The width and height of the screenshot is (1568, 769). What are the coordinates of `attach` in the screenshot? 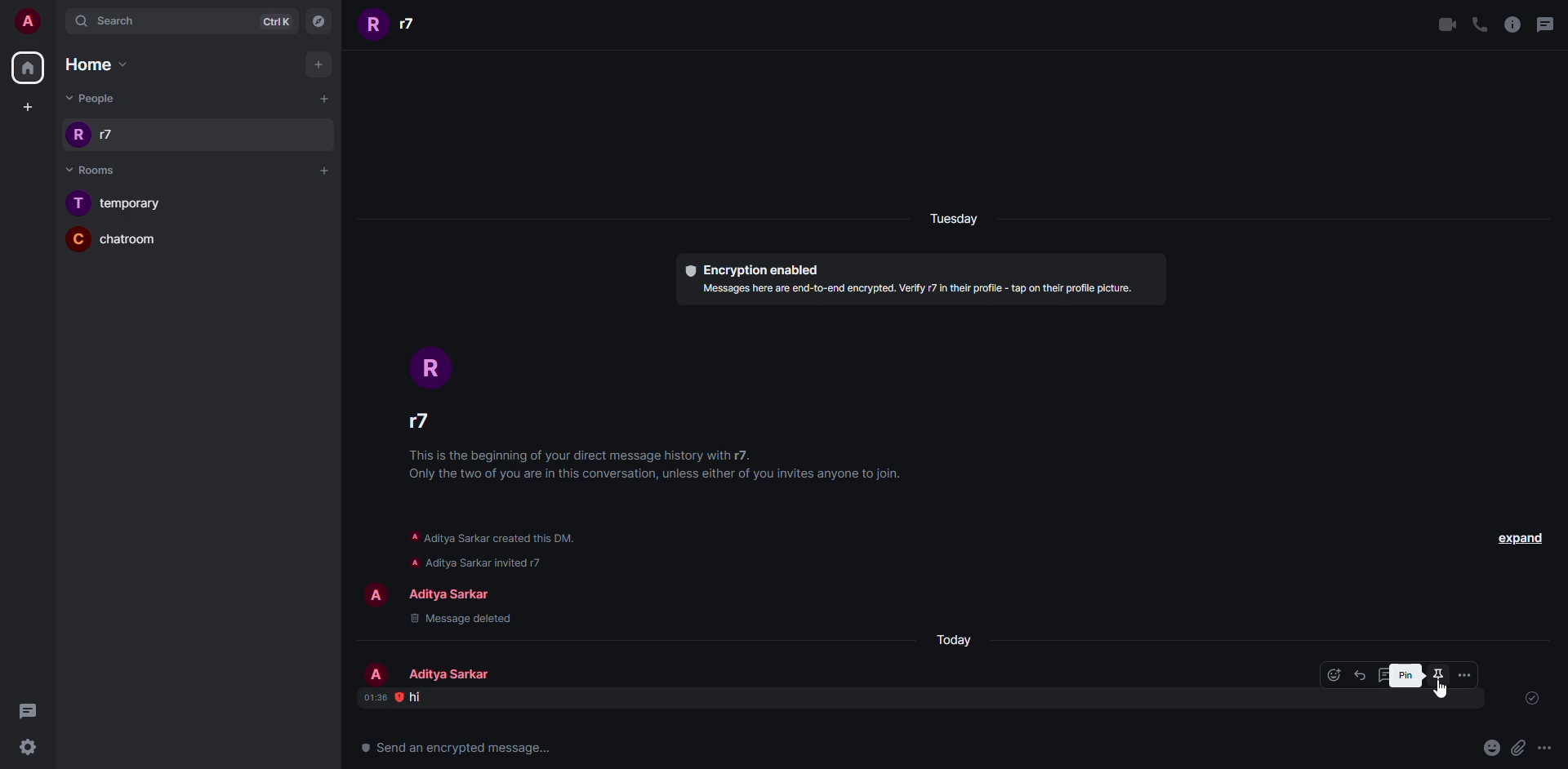 It's located at (1517, 747).